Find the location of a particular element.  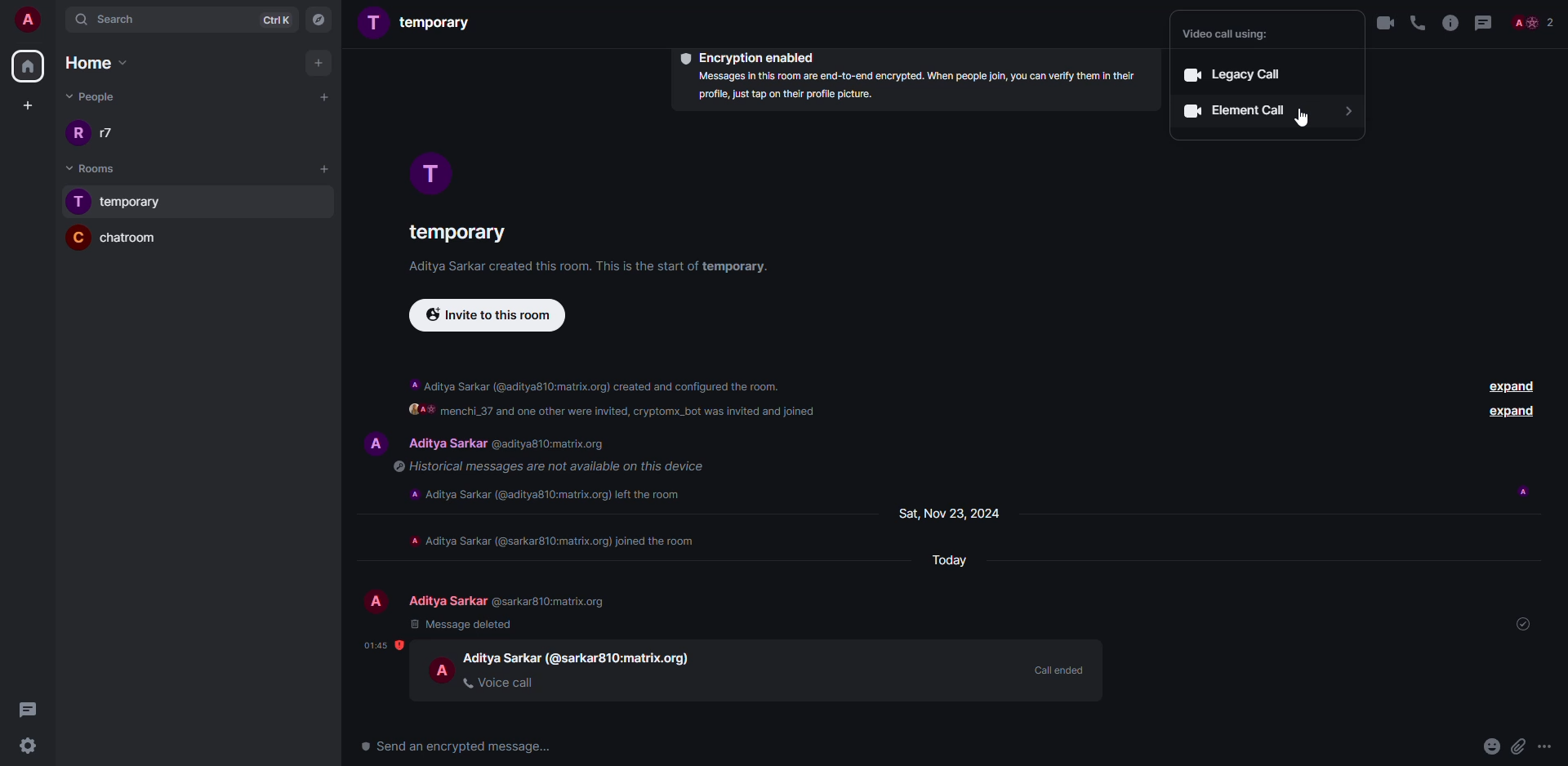

send encrypted message is located at coordinates (459, 744).